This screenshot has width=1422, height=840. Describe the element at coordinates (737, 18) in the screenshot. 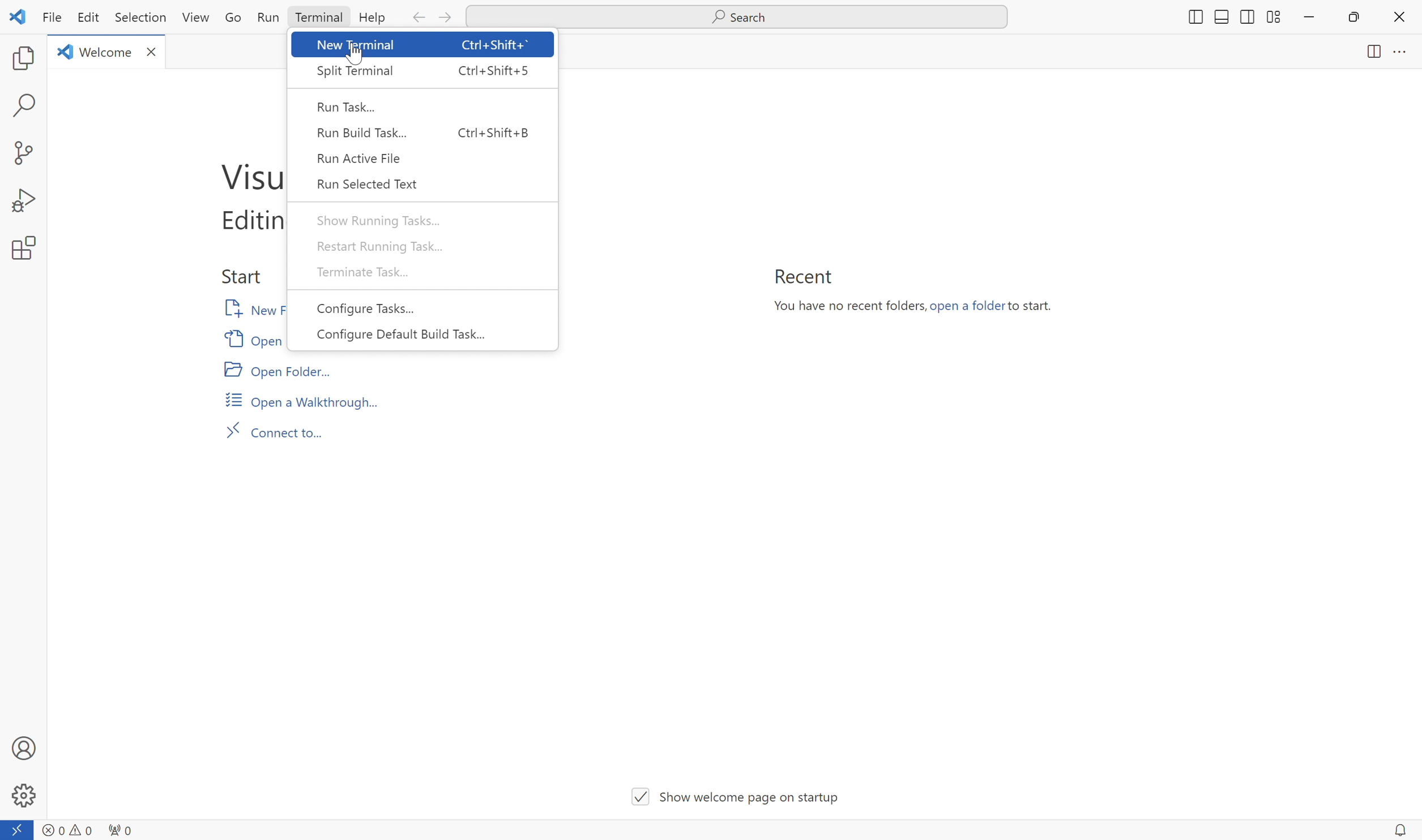

I see `Search` at that location.